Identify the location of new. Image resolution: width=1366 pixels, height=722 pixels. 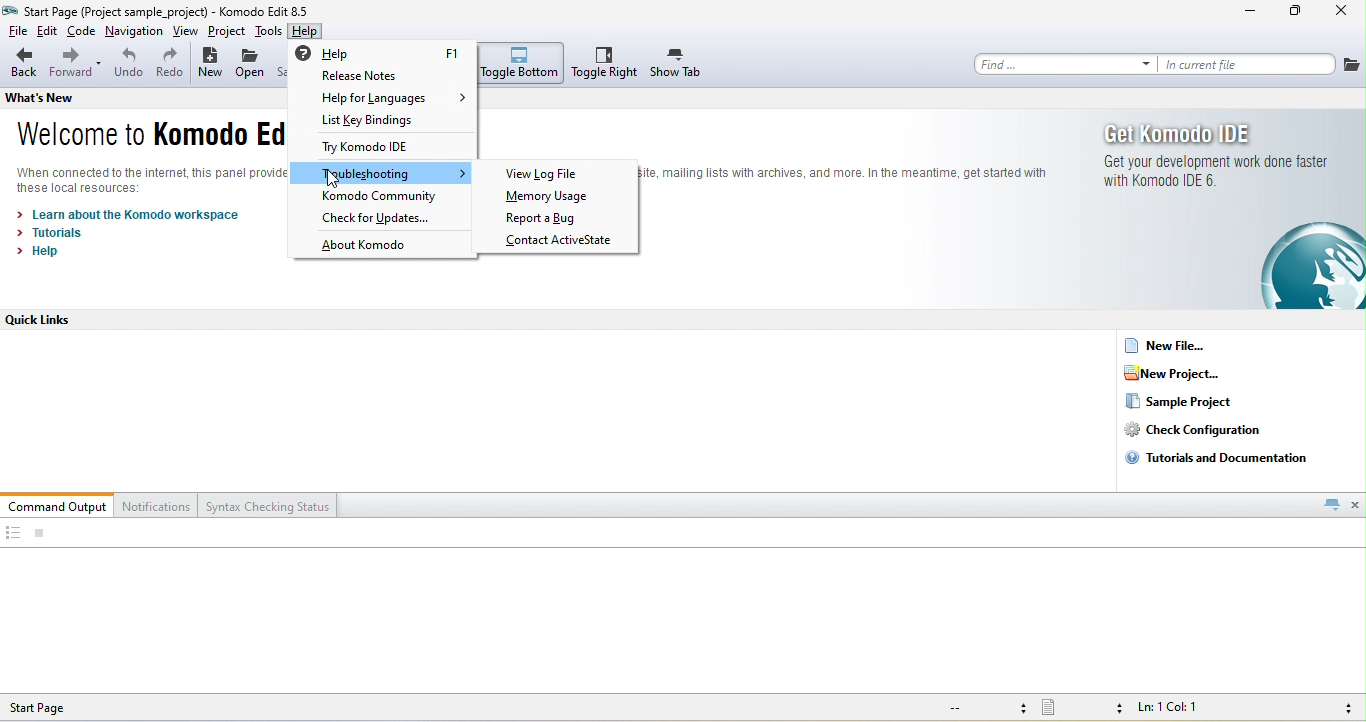
(210, 65).